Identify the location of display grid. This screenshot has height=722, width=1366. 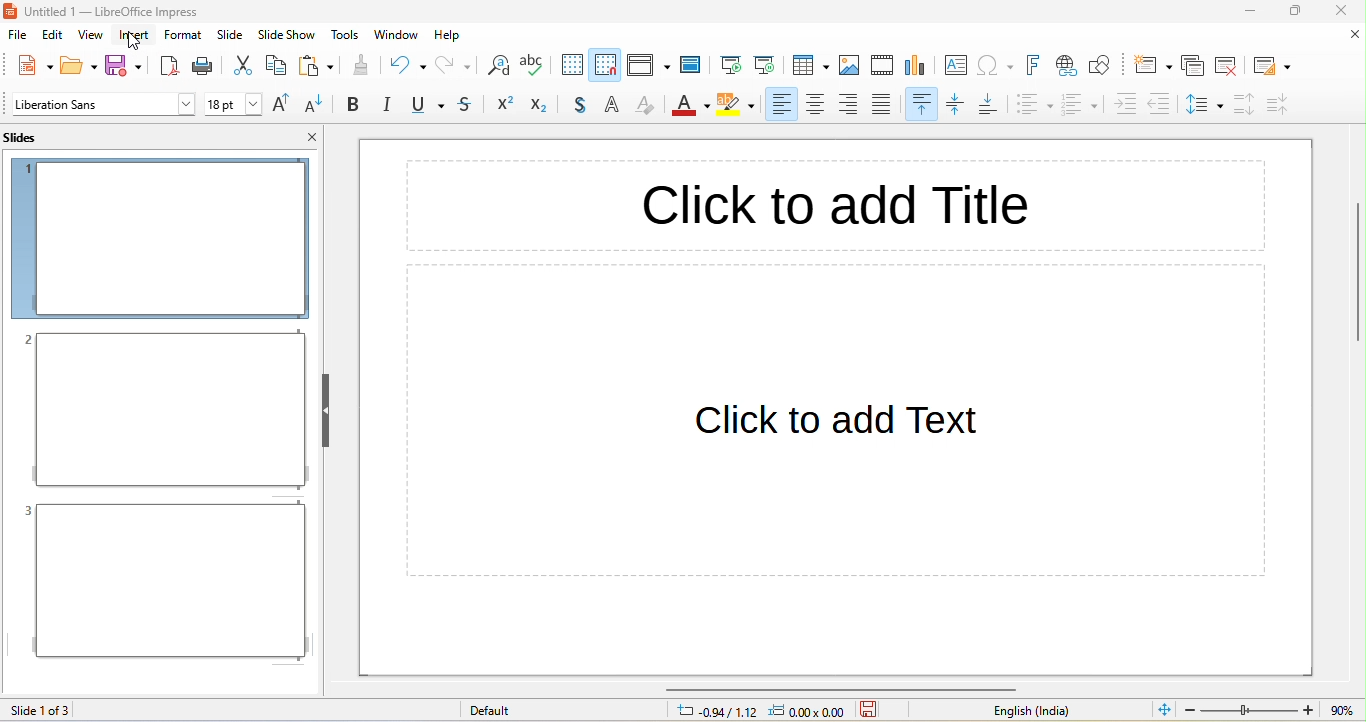
(570, 65).